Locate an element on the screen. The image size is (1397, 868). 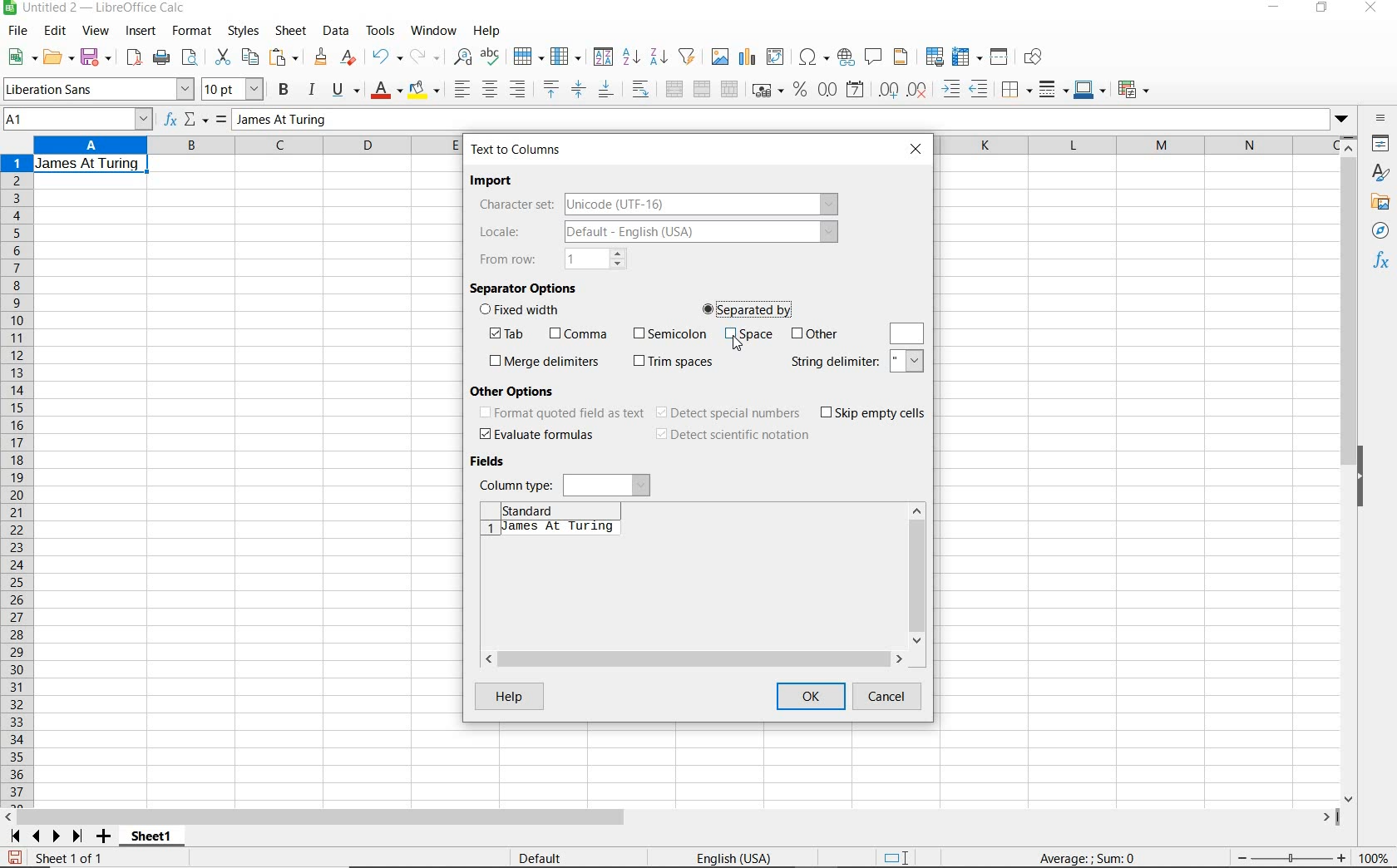
tab is located at coordinates (511, 334).